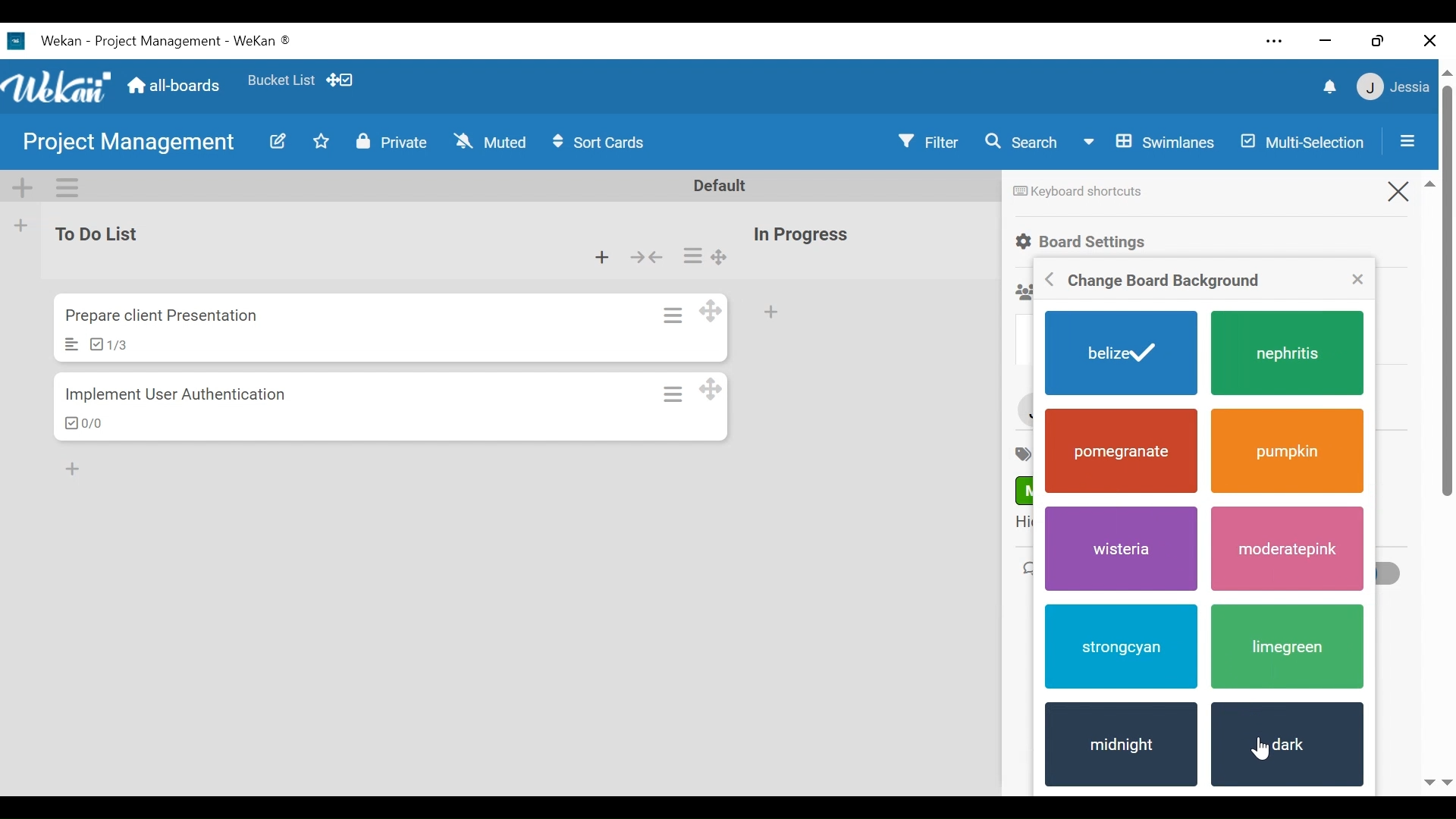 The image size is (1456, 819). I want to click on Desktop drag handles, so click(718, 311).